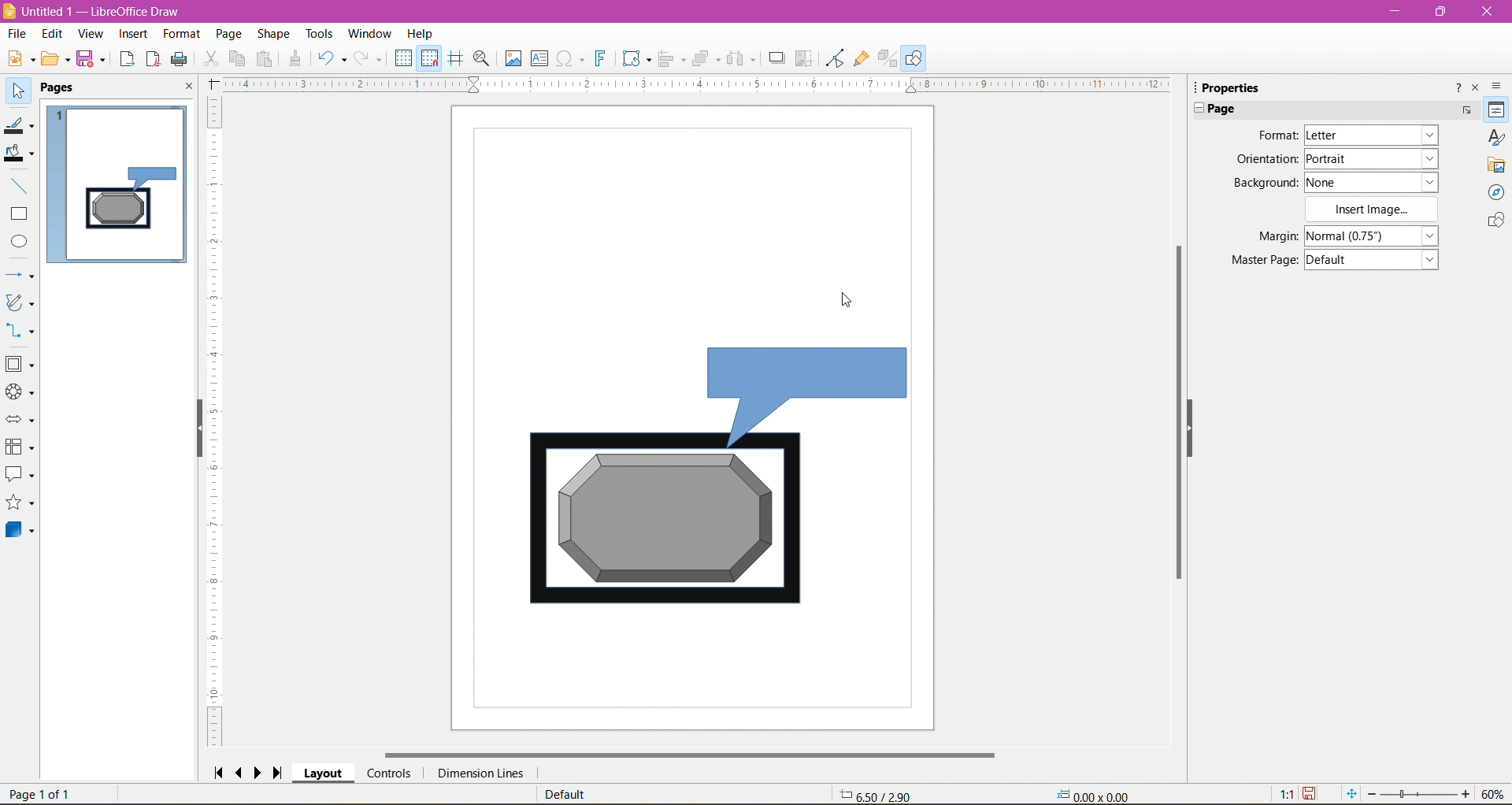  What do you see at coordinates (482, 59) in the screenshot?
I see `Zoom and Pan` at bounding box center [482, 59].